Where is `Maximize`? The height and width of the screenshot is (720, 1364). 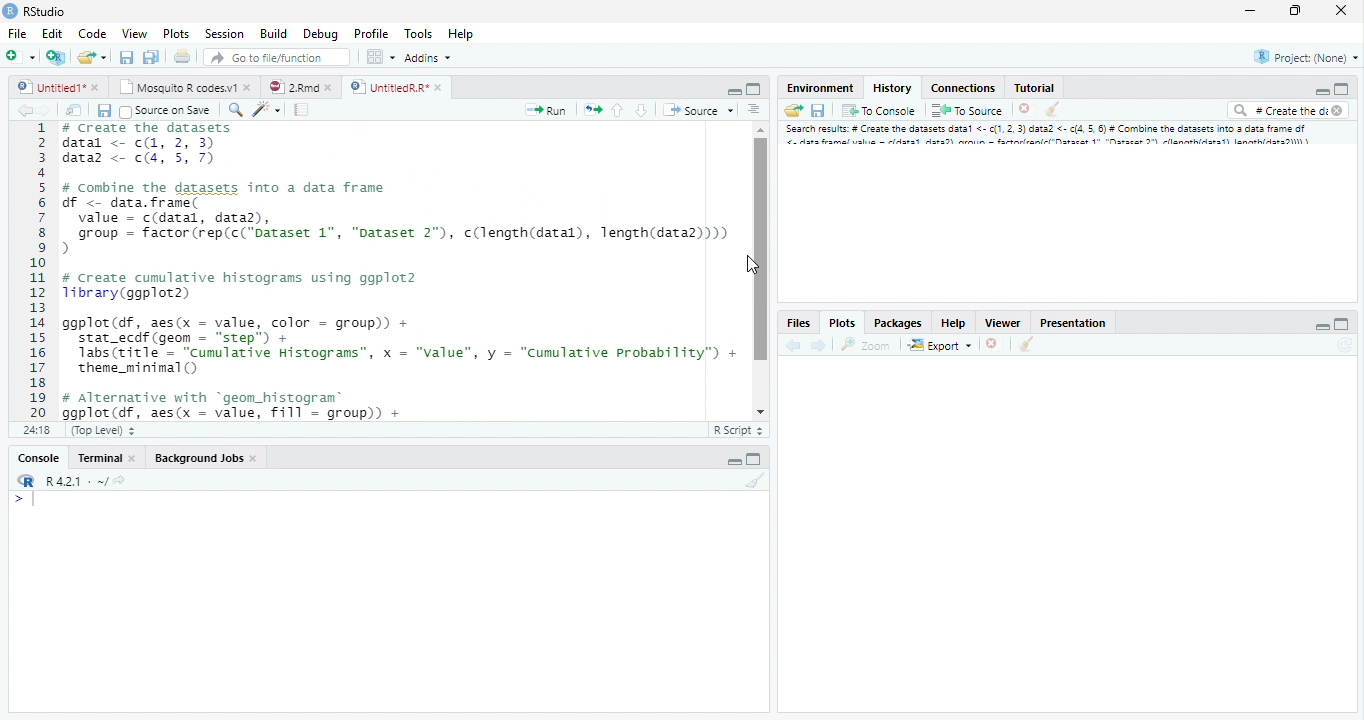 Maximize is located at coordinates (1294, 11).